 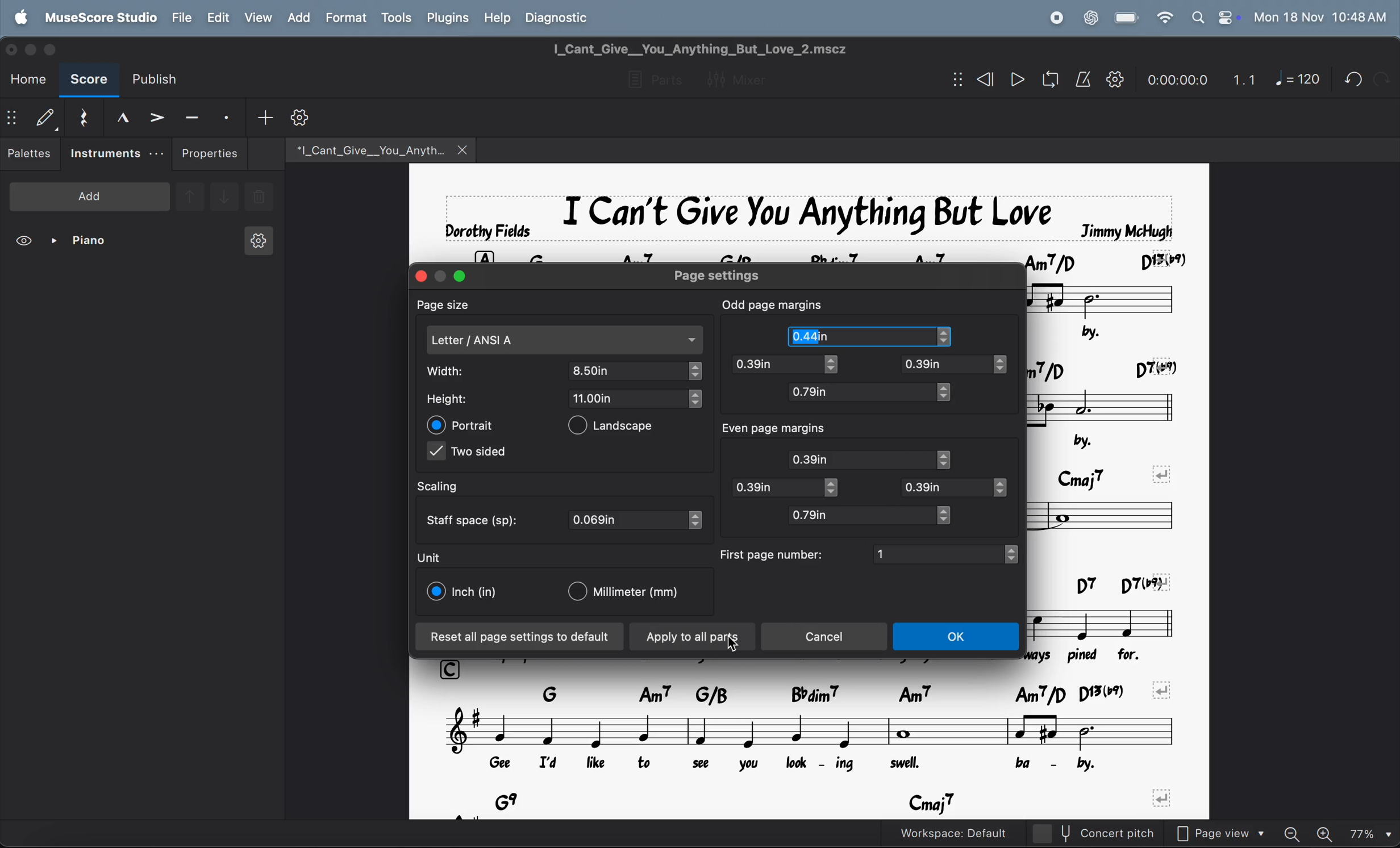 I want to click on close, so click(x=418, y=275).